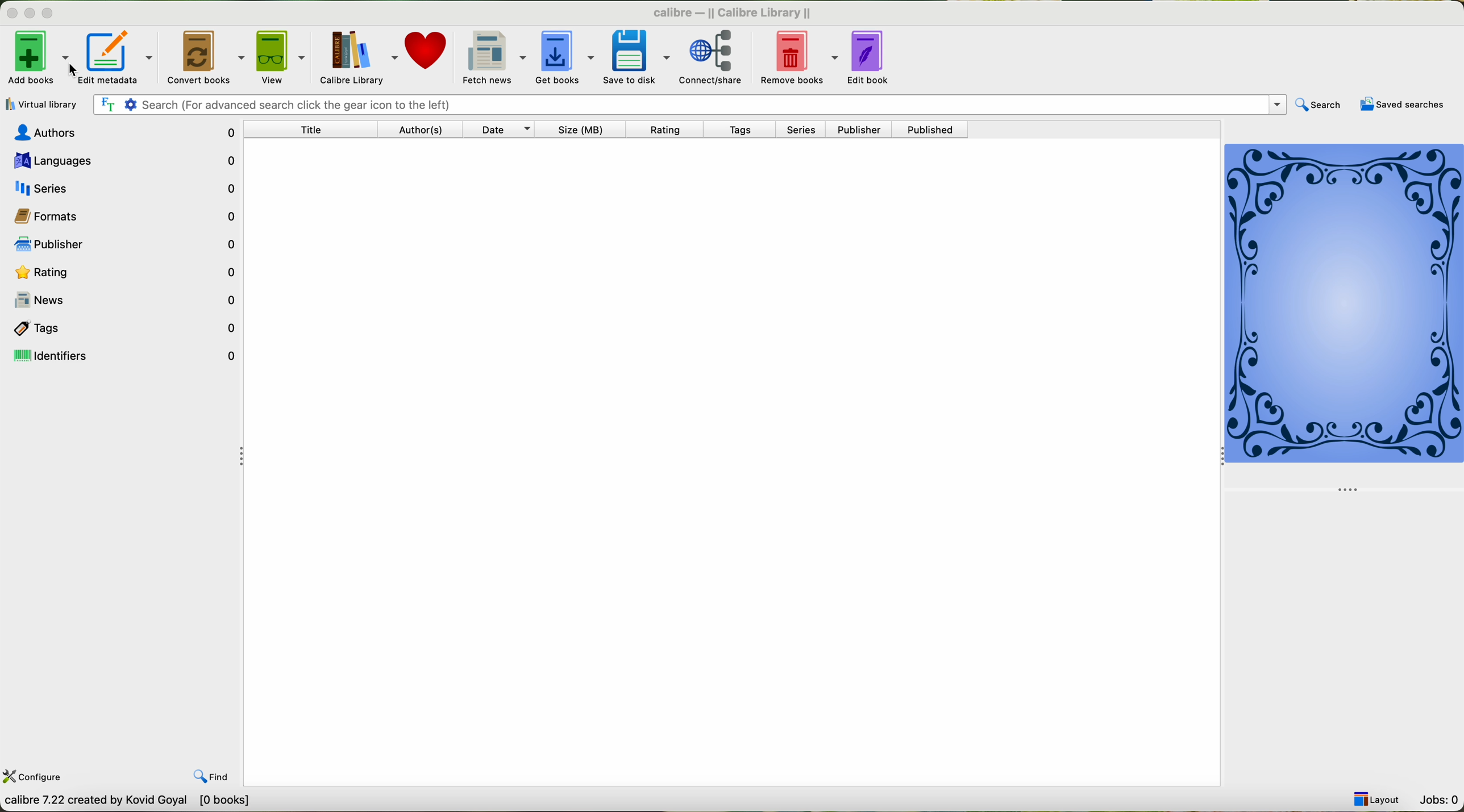  What do you see at coordinates (123, 272) in the screenshot?
I see `rating` at bounding box center [123, 272].